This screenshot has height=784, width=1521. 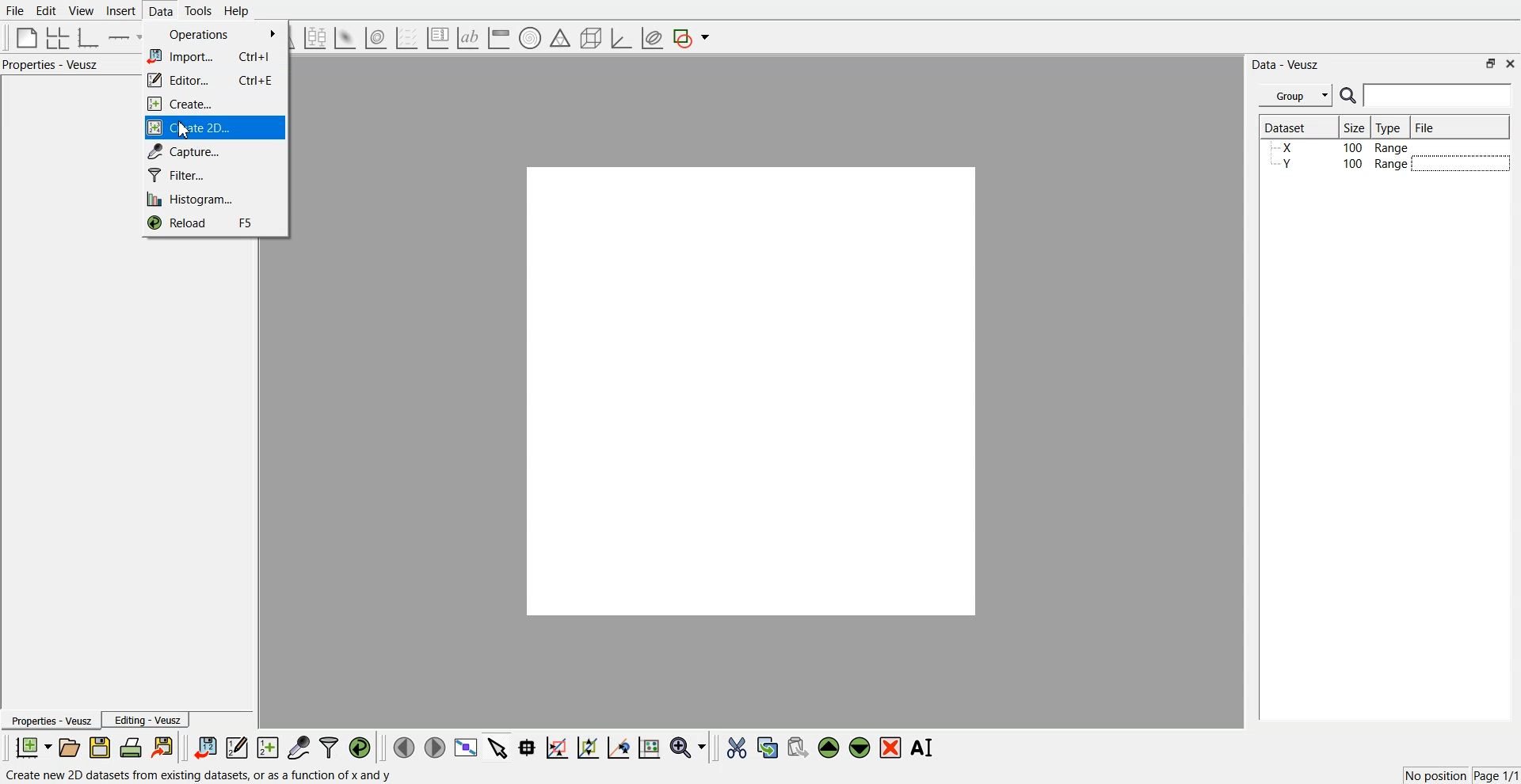 What do you see at coordinates (860, 748) in the screenshot?
I see `Move down the selected widget` at bounding box center [860, 748].